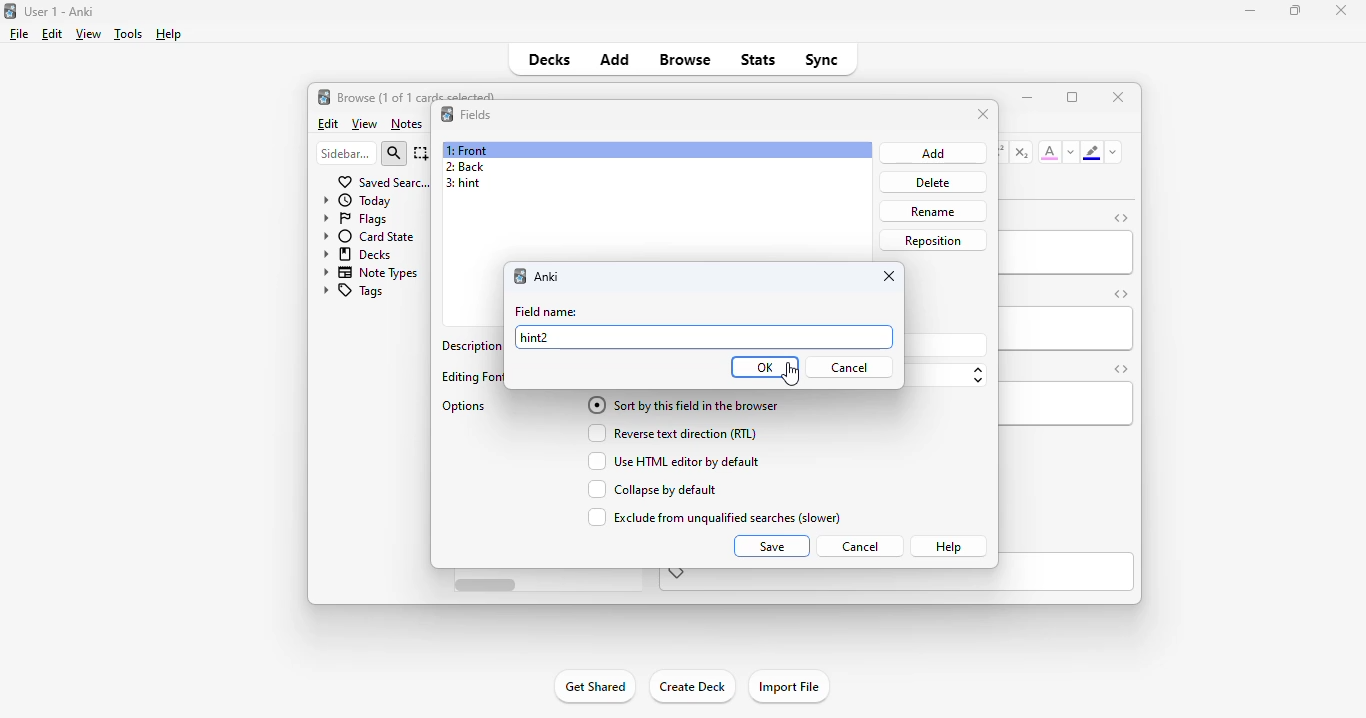 The image size is (1366, 718). What do you see at coordinates (849, 367) in the screenshot?
I see `cancel` at bounding box center [849, 367].